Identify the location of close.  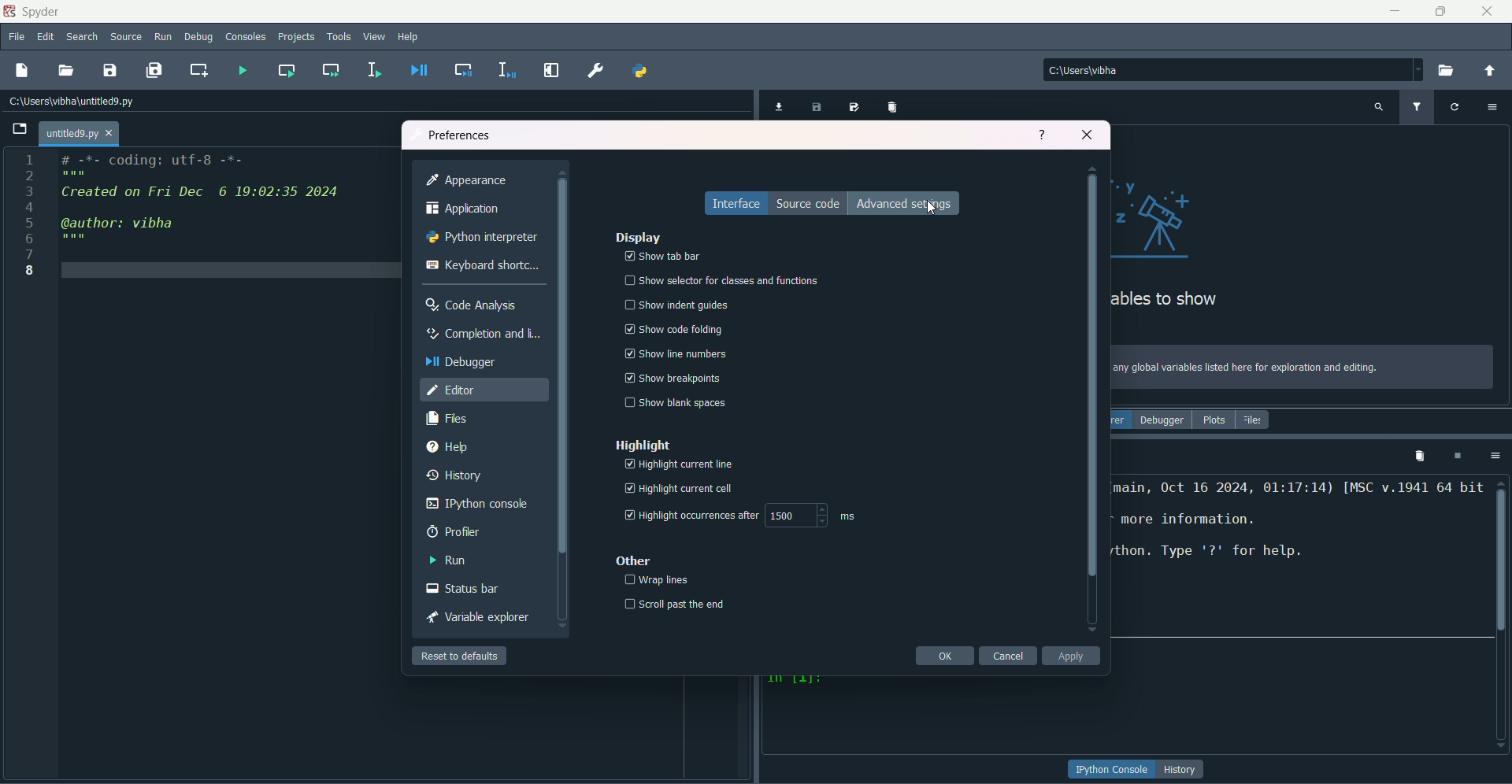
(1088, 133).